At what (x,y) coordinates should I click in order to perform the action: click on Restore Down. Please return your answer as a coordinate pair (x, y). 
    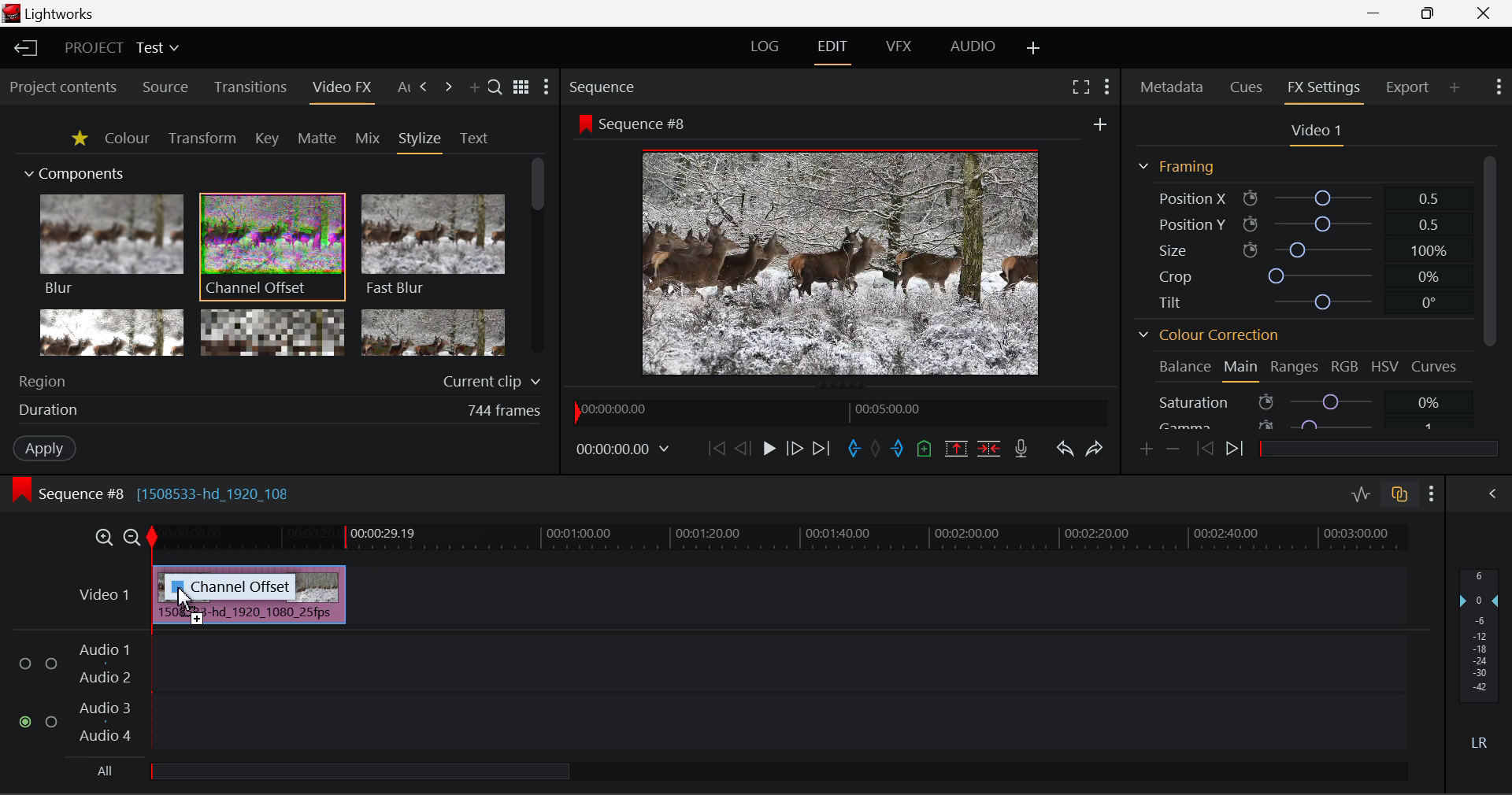
    Looking at the image, I should click on (1379, 14).